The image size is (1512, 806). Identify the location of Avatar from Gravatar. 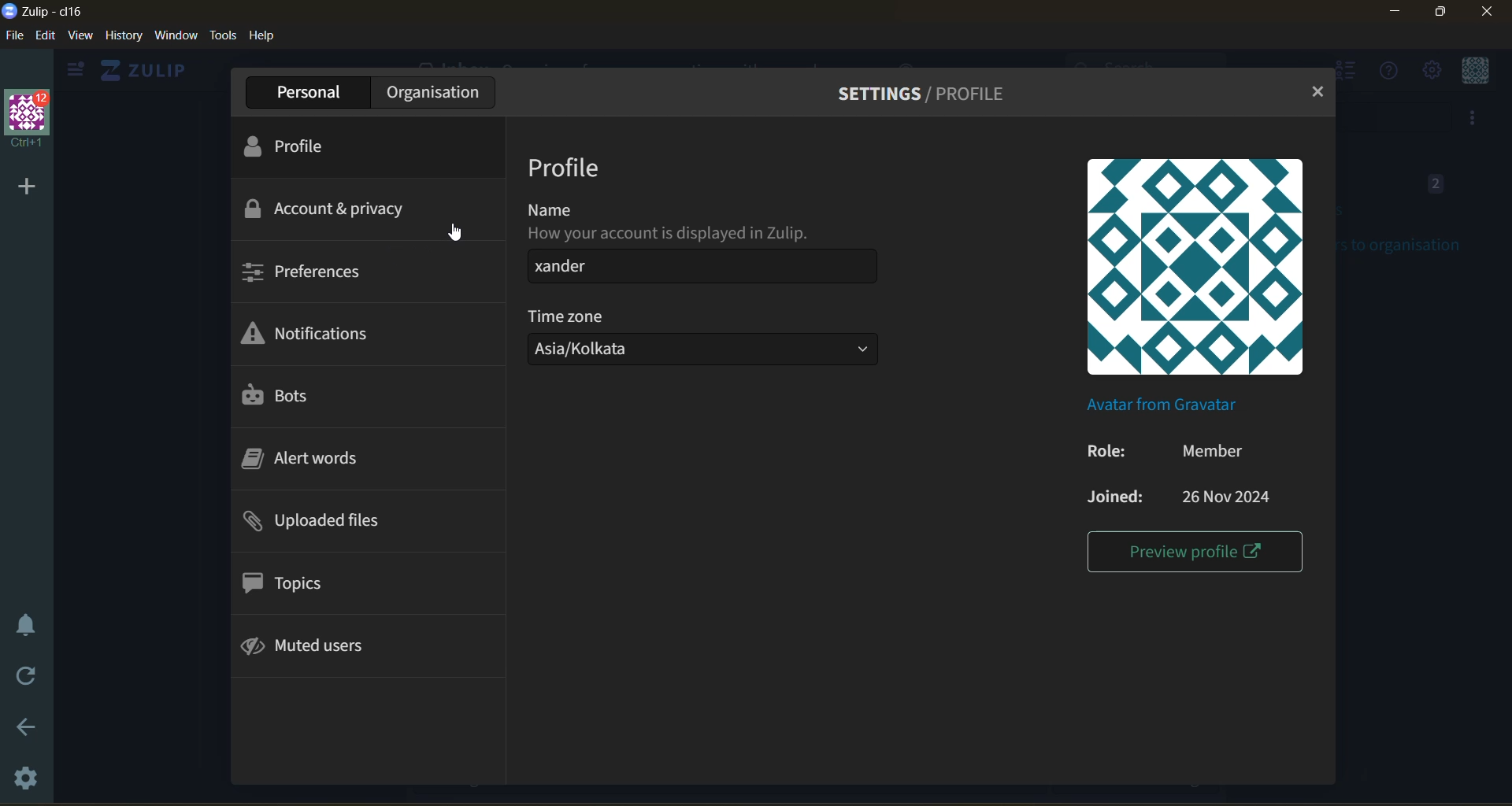
(1158, 405).